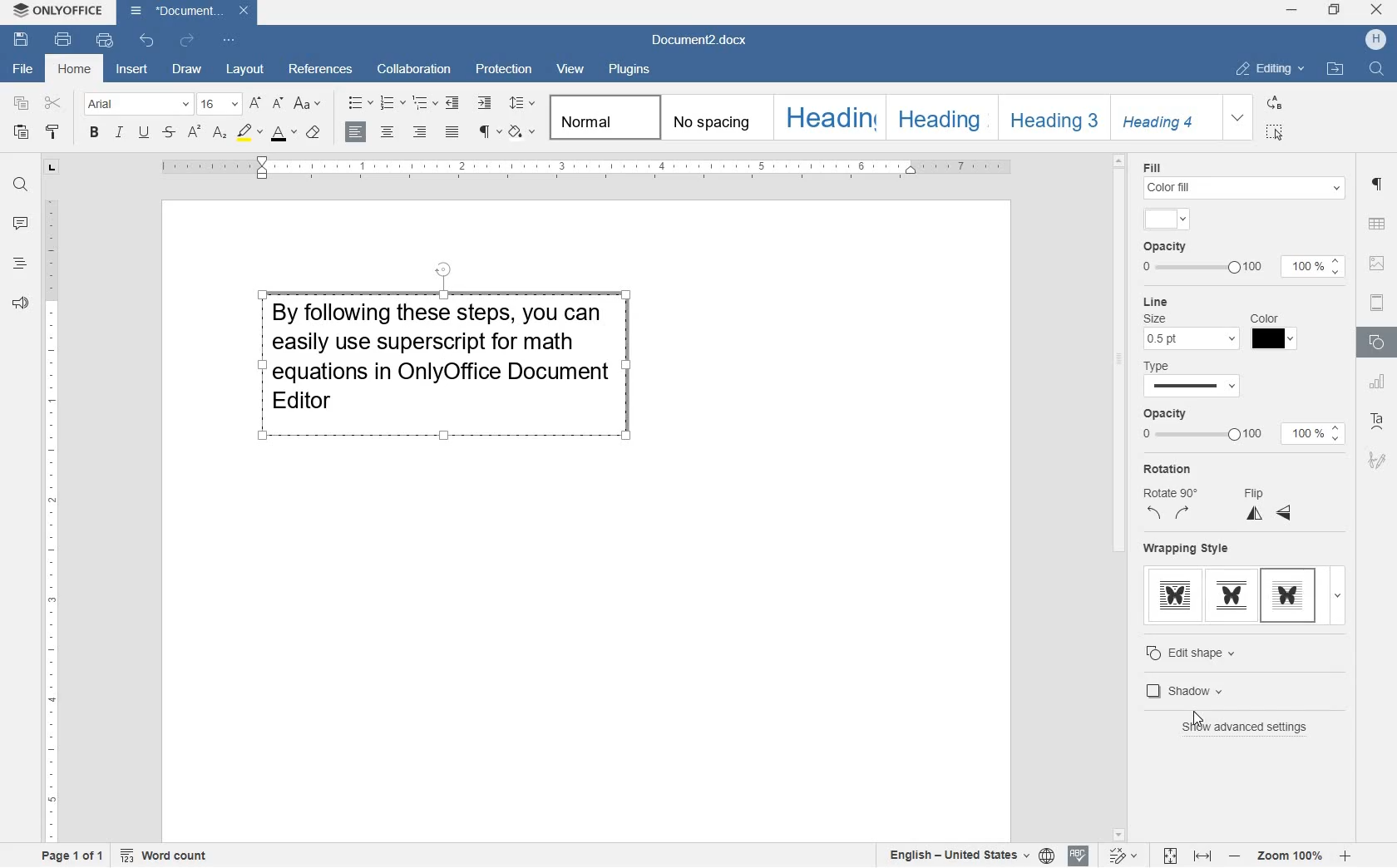  I want to click on italic, so click(118, 132).